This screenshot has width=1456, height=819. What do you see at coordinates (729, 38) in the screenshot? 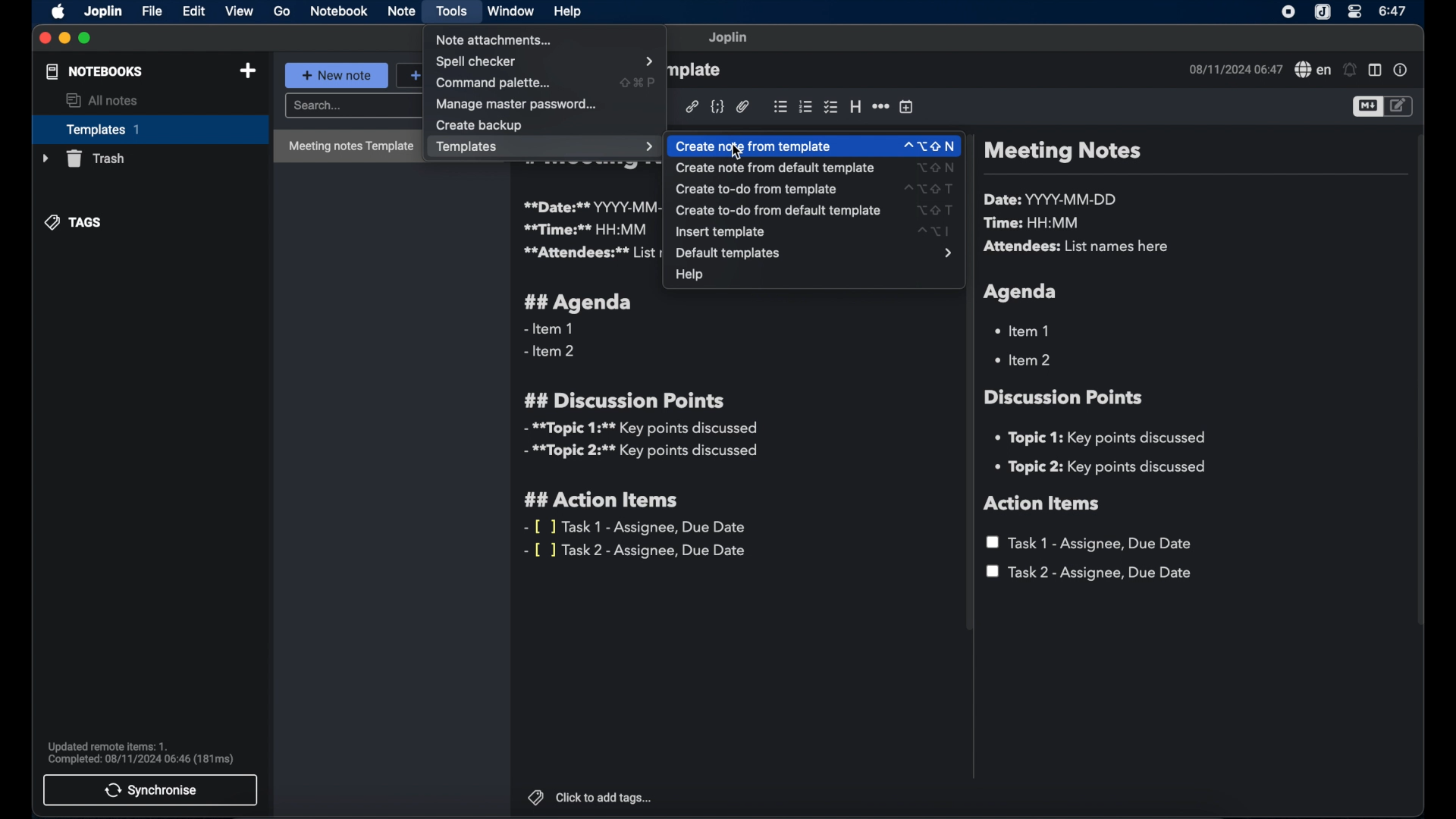
I see `Joplin` at bounding box center [729, 38].